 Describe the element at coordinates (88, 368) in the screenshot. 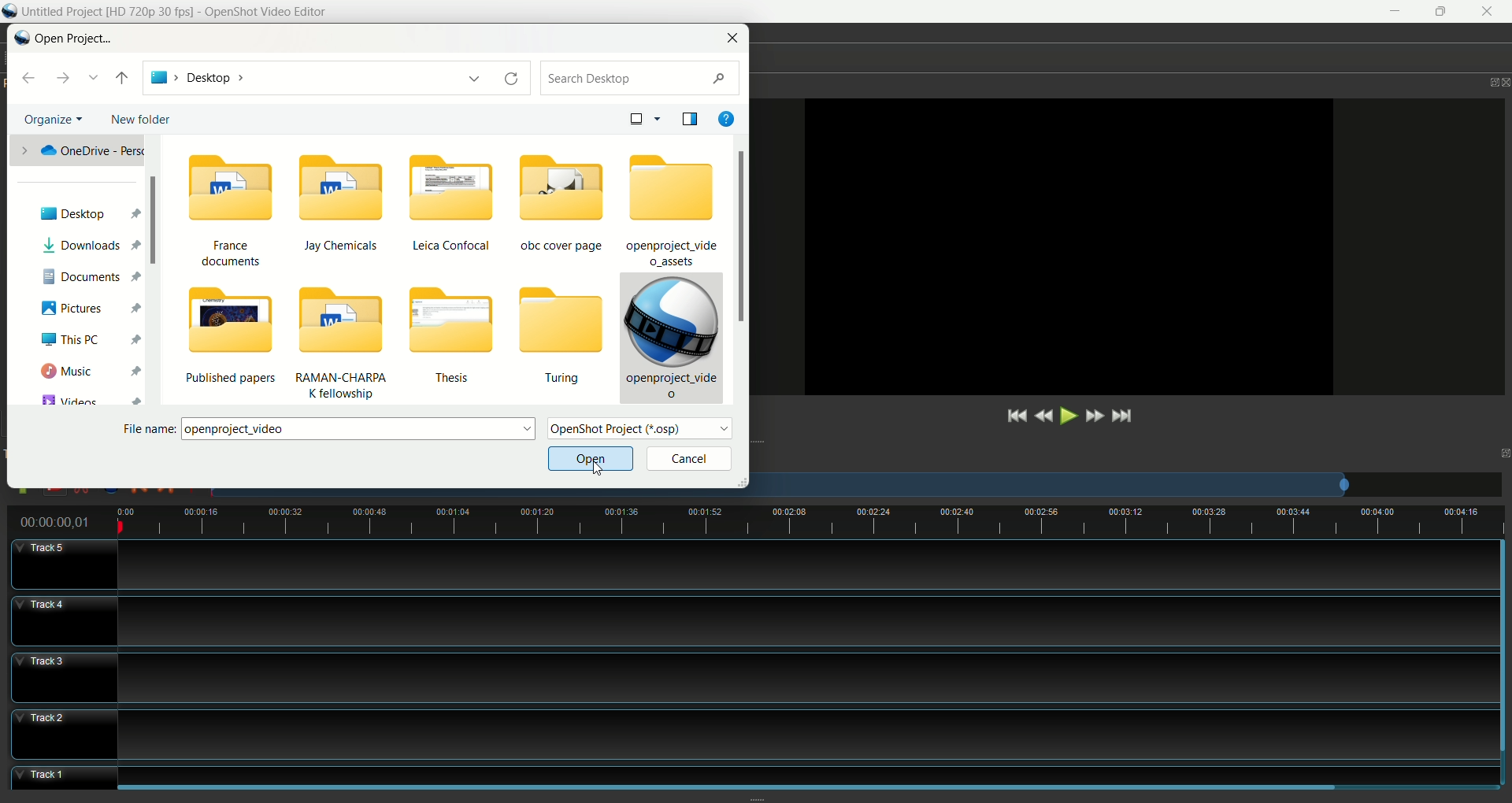

I see `music` at that location.